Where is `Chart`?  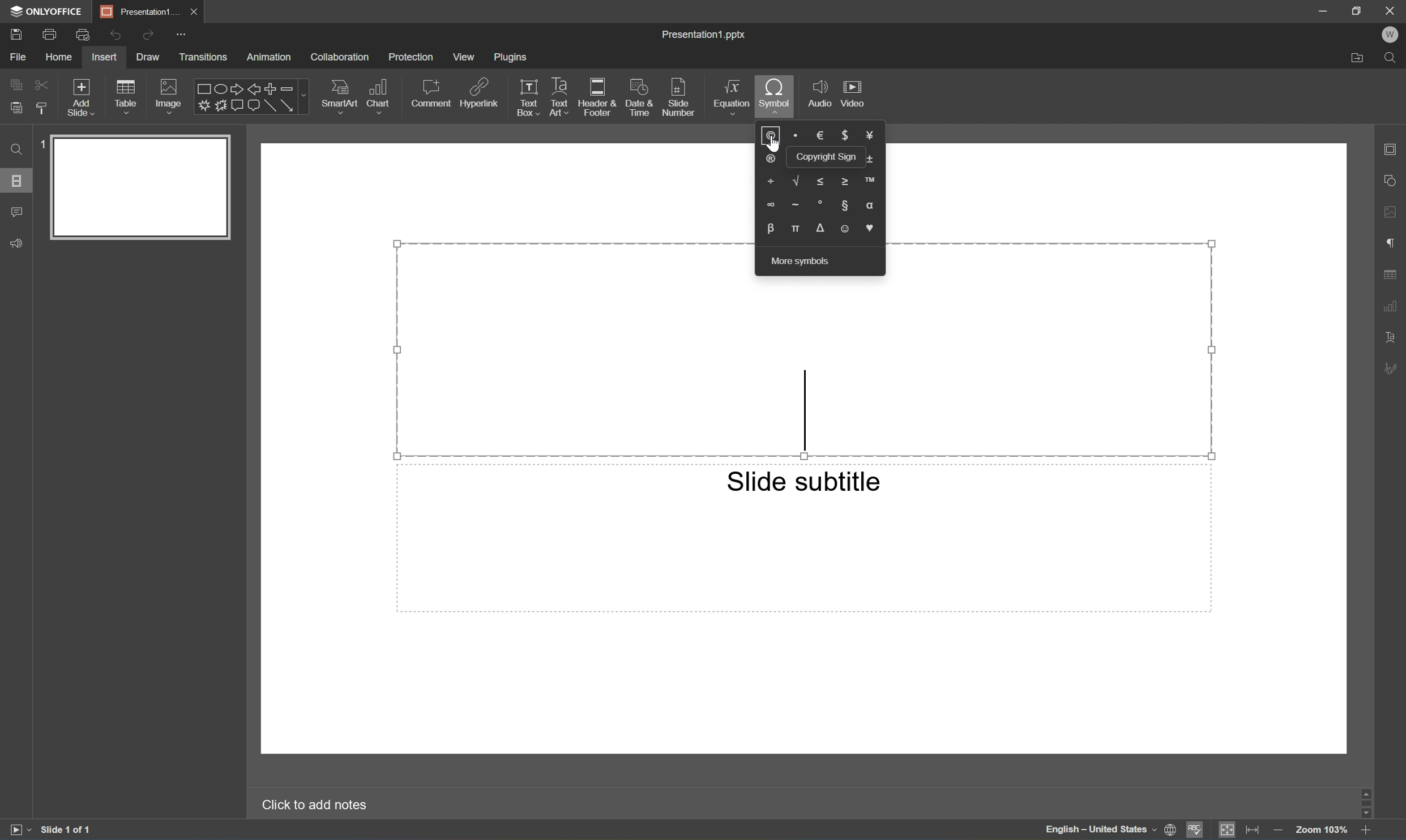
Chart is located at coordinates (381, 92).